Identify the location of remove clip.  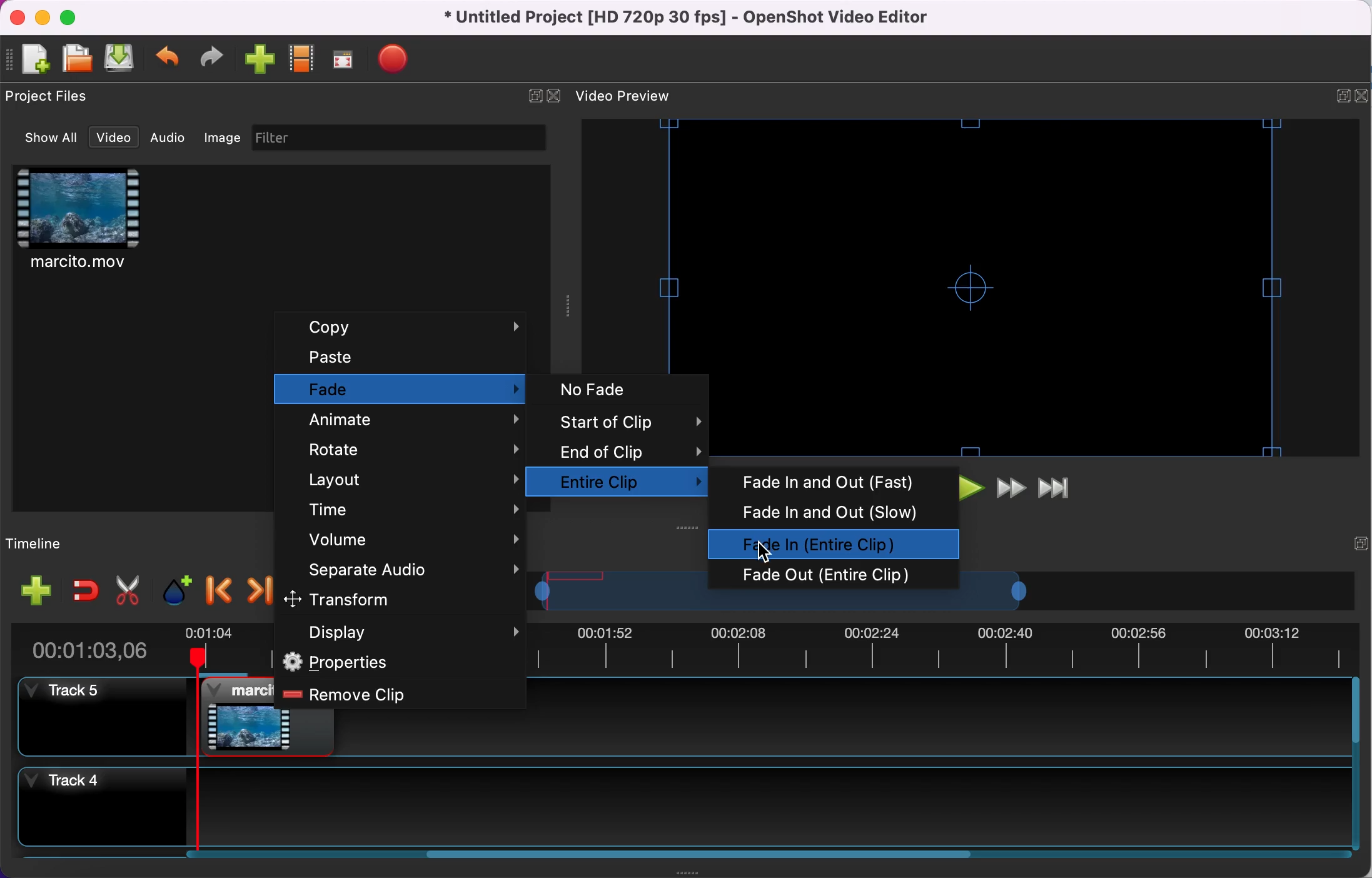
(381, 695).